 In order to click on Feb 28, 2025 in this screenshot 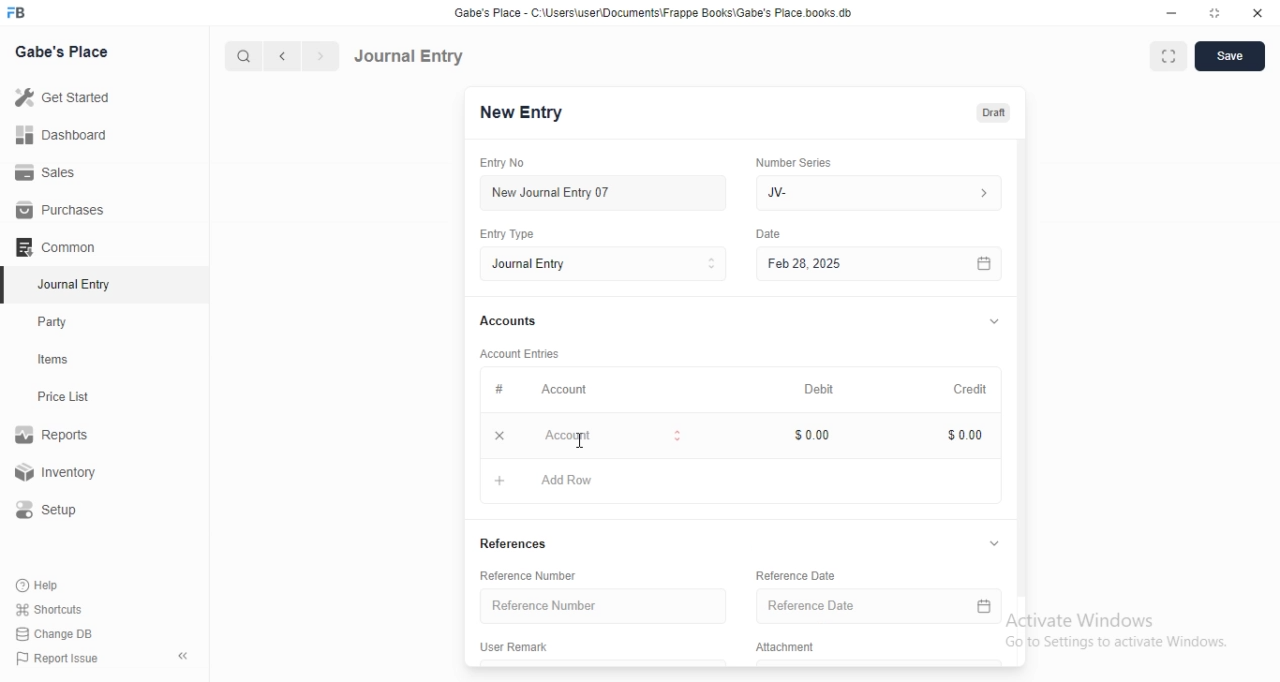, I will do `click(880, 265)`.